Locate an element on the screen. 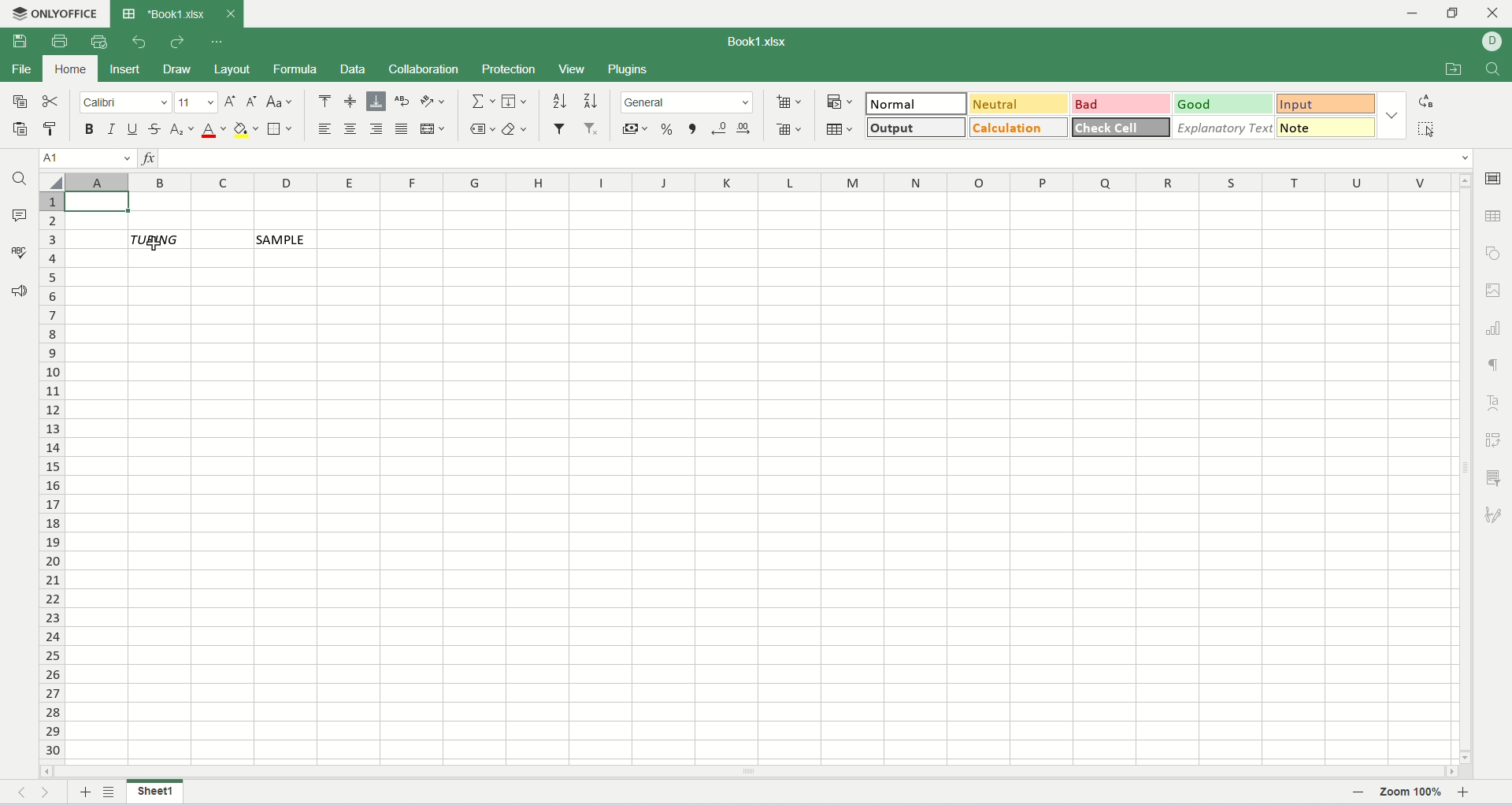 The height and width of the screenshot is (805, 1512). replace is located at coordinates (1429, 101).